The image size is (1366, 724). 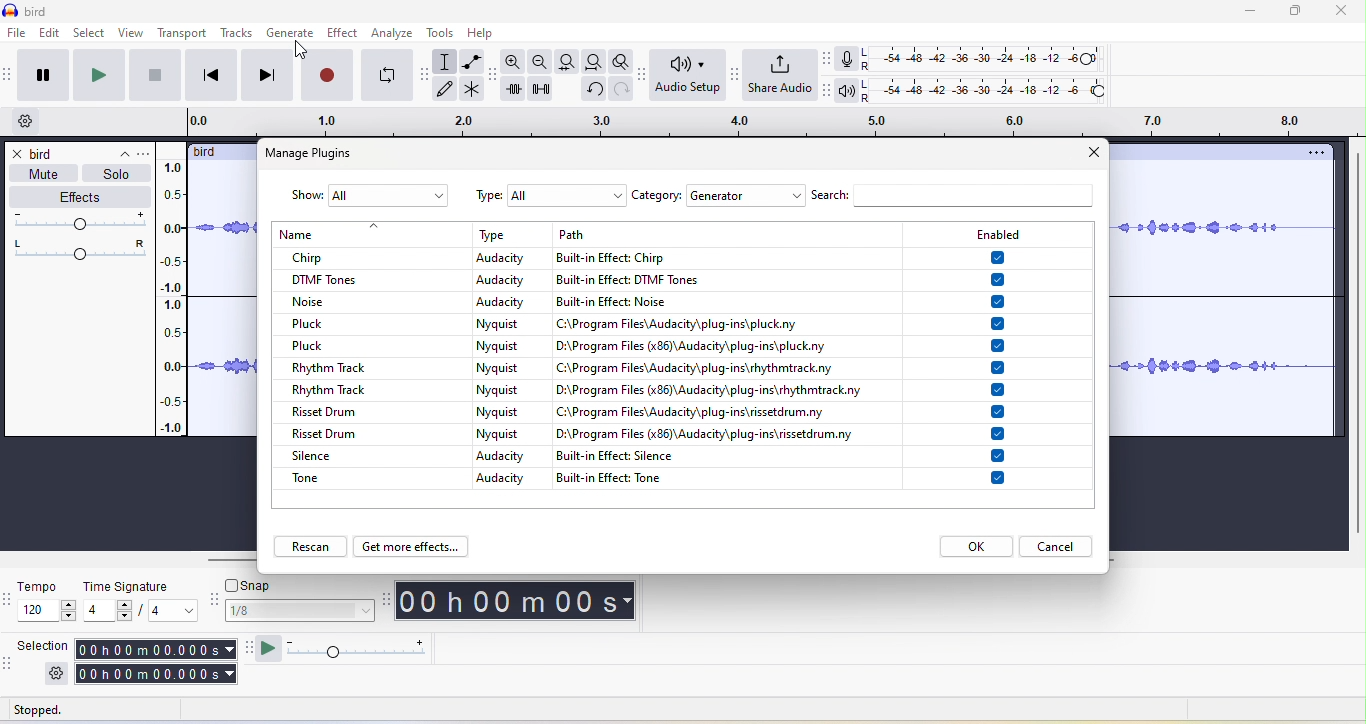 I want to click on click and drag to define a looping region, so click(x=768, y=124).